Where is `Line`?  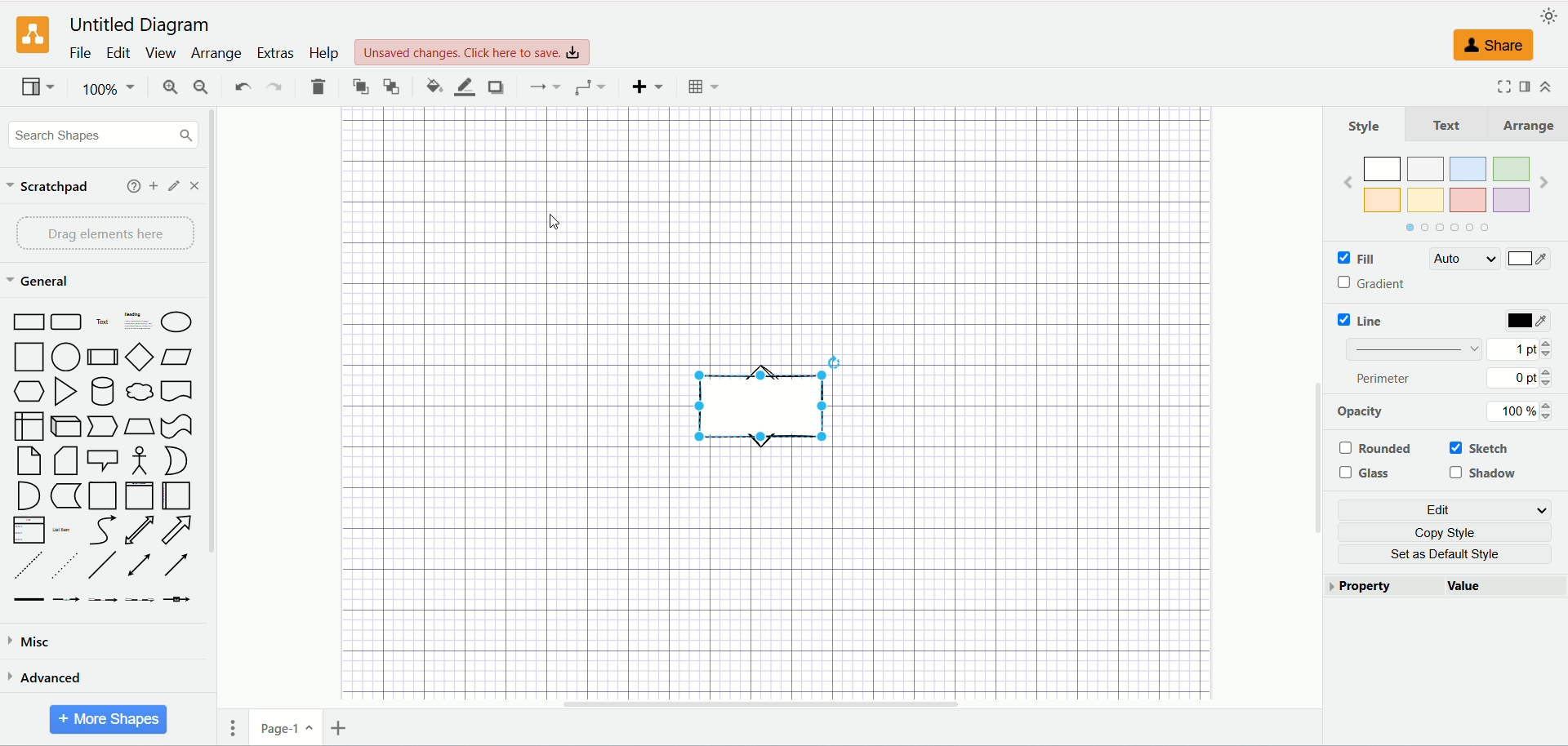
Line is located at coordinates (104, 565).